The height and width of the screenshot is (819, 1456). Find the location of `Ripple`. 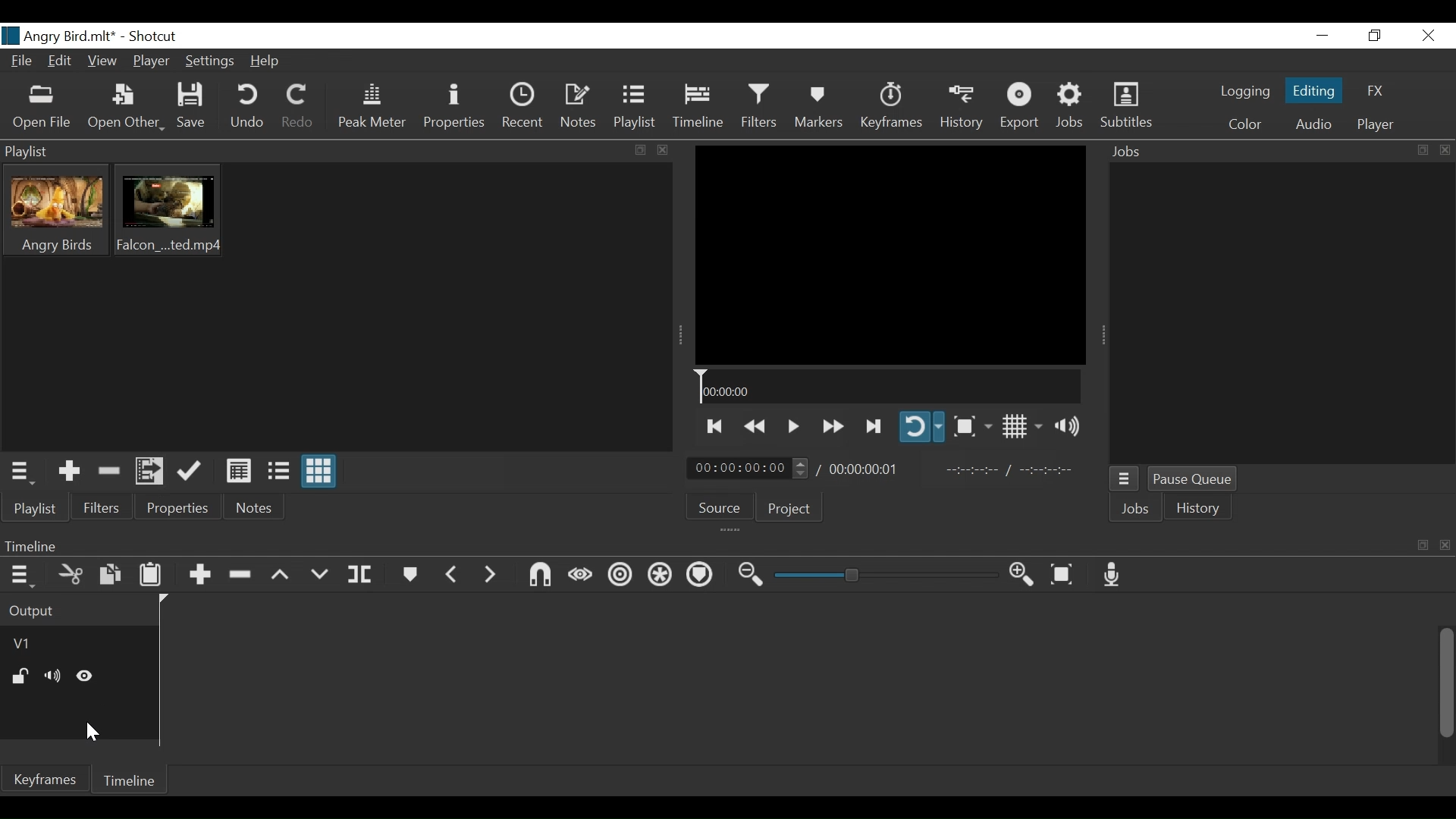

Ripple is located at coordinates (621, 578).